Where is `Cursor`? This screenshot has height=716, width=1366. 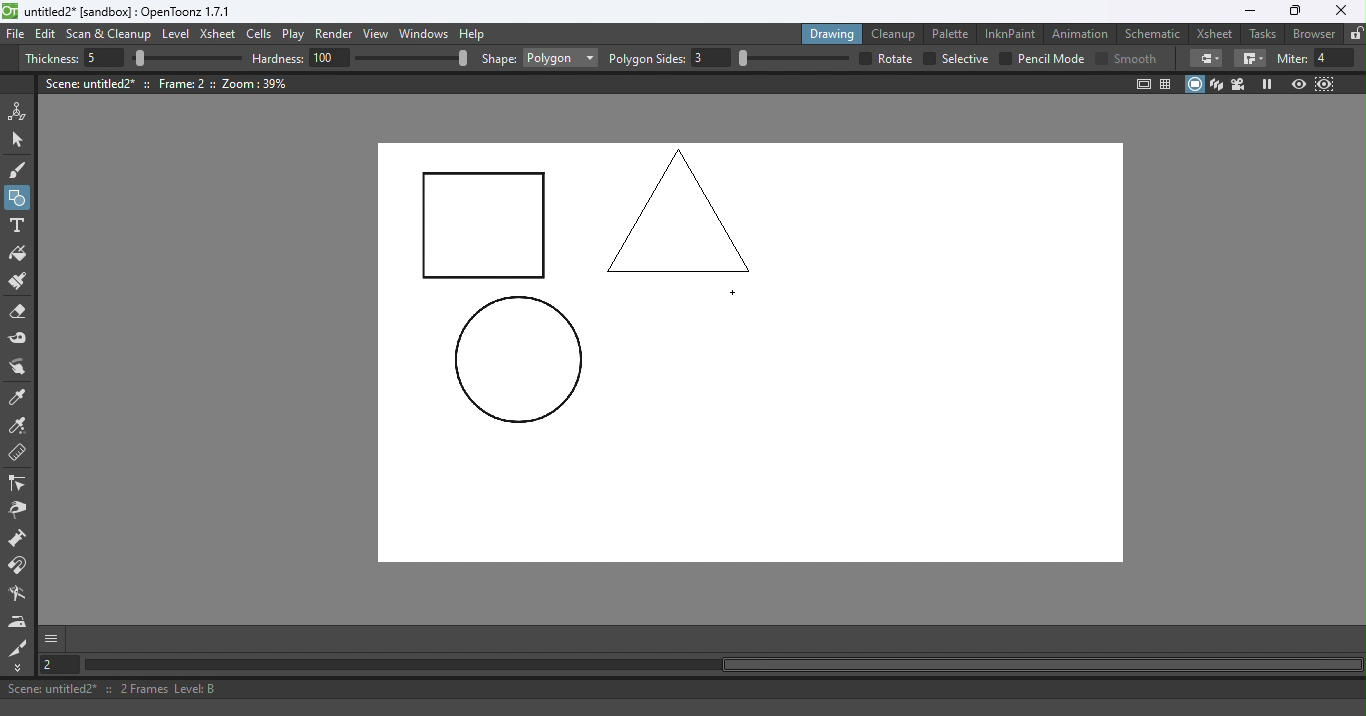
Cursor is located at coordinates (736, 294).